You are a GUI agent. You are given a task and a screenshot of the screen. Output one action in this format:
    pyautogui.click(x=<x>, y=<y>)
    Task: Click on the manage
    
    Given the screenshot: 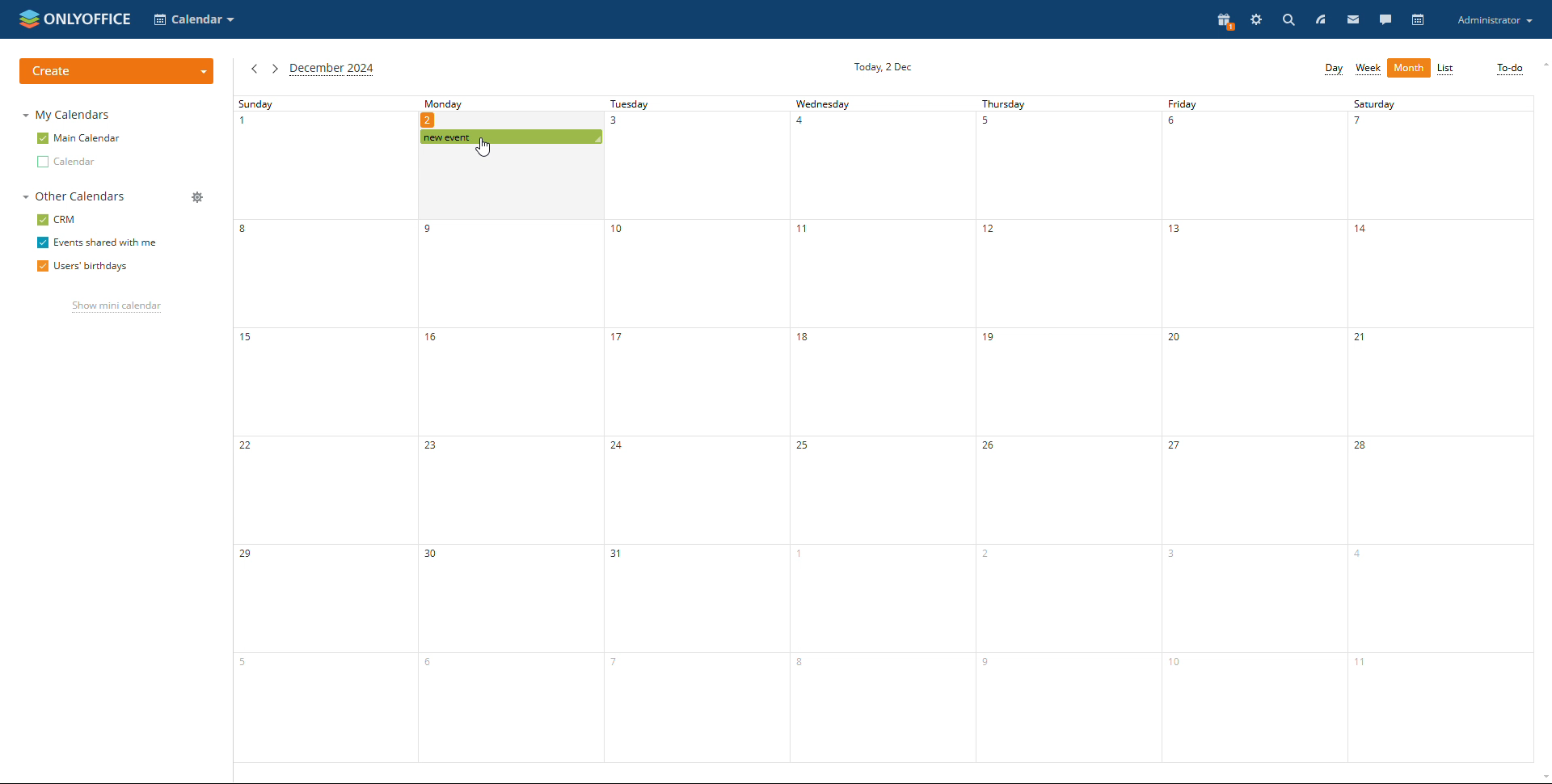 What is the action you would take?
    pyautogui.click(x=197, y=197)
    